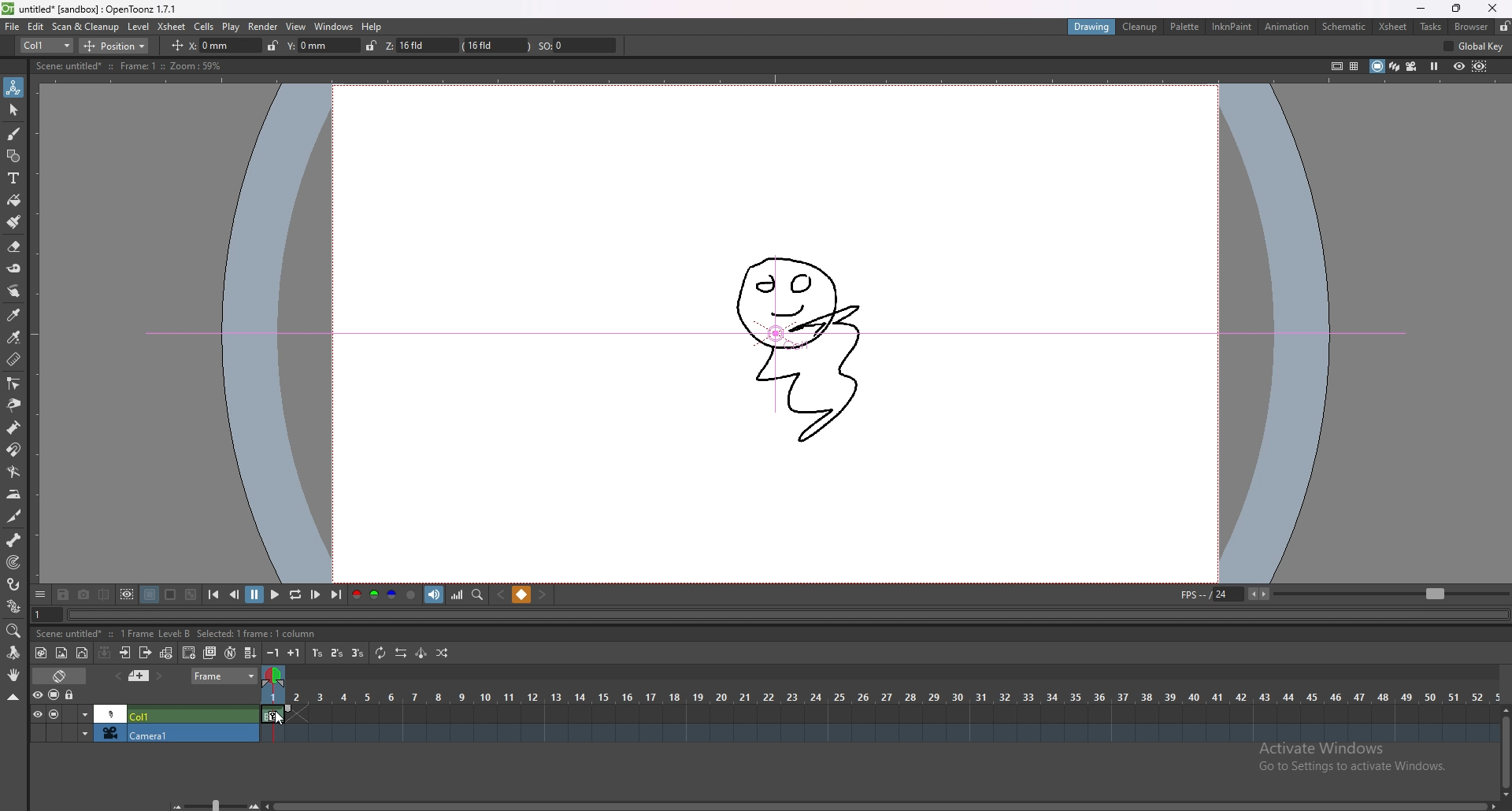 This screenshot has height=811, width=1512. I want to click on minimize, so click(1422, 9).